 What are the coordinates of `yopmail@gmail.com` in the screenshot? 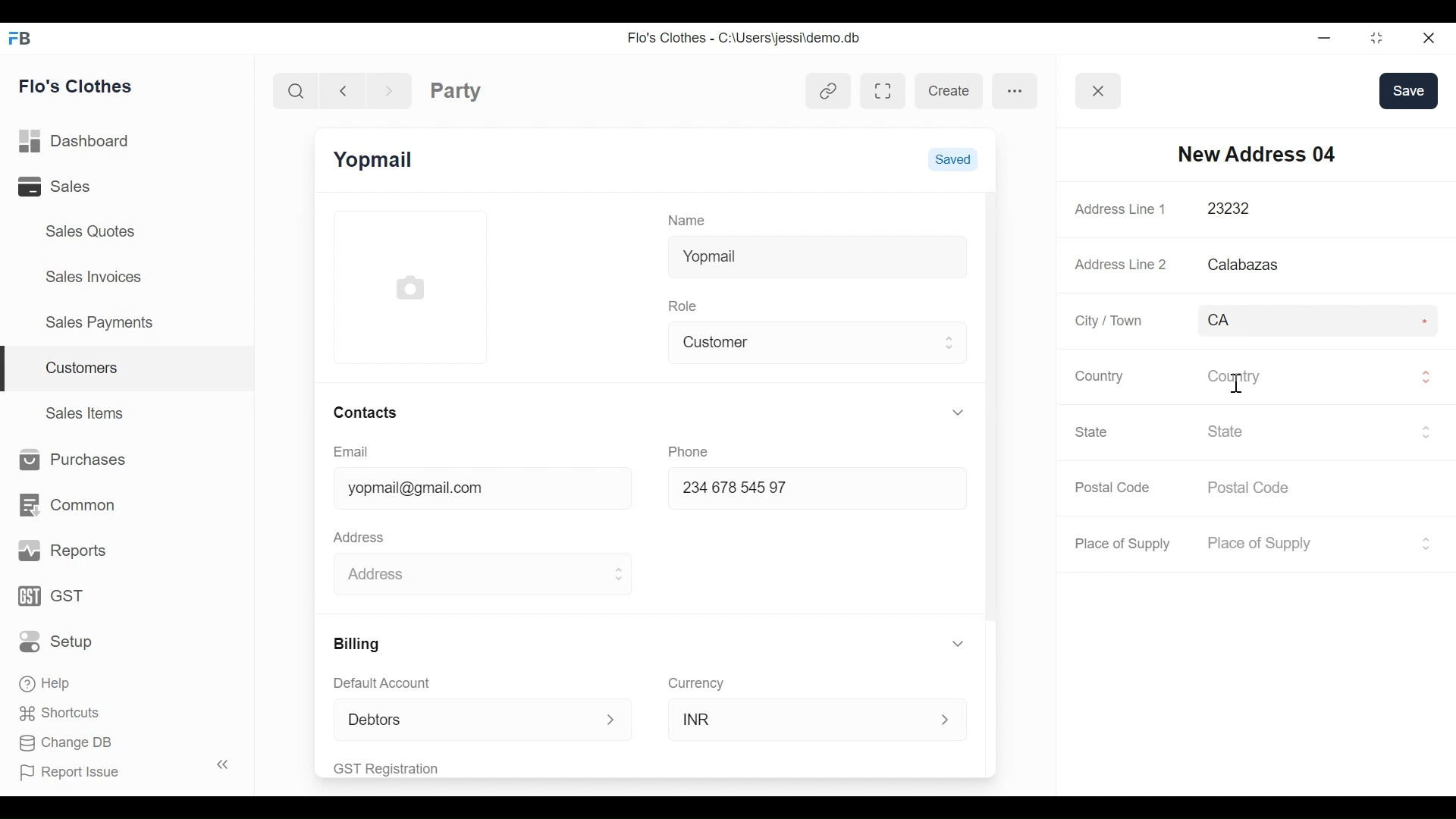 It's located at (469, 490).